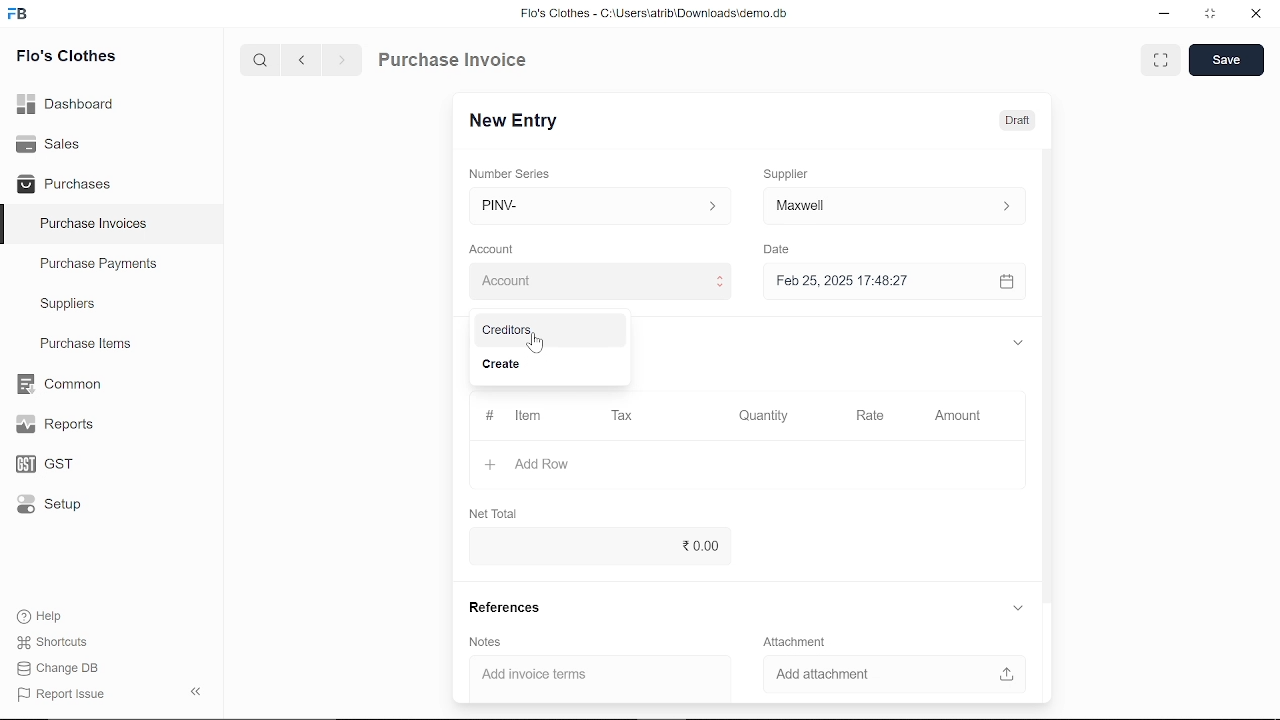 The image size is (1280, 720). Describe the element at coordinates (1017, 607) in the screenshot. I see `expand` at that location.